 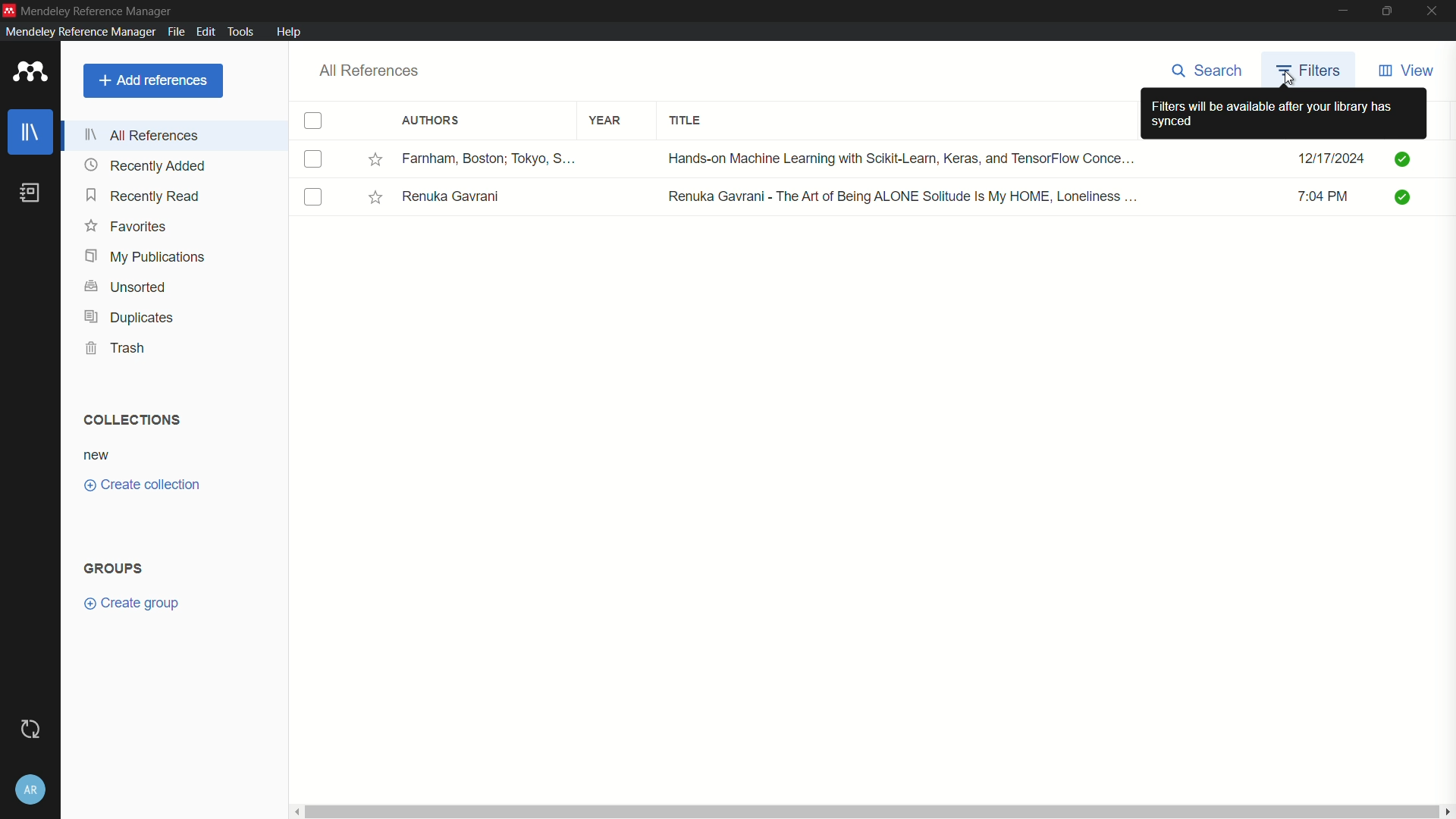 I want to click on duplicates, so click(x=130, y=317).